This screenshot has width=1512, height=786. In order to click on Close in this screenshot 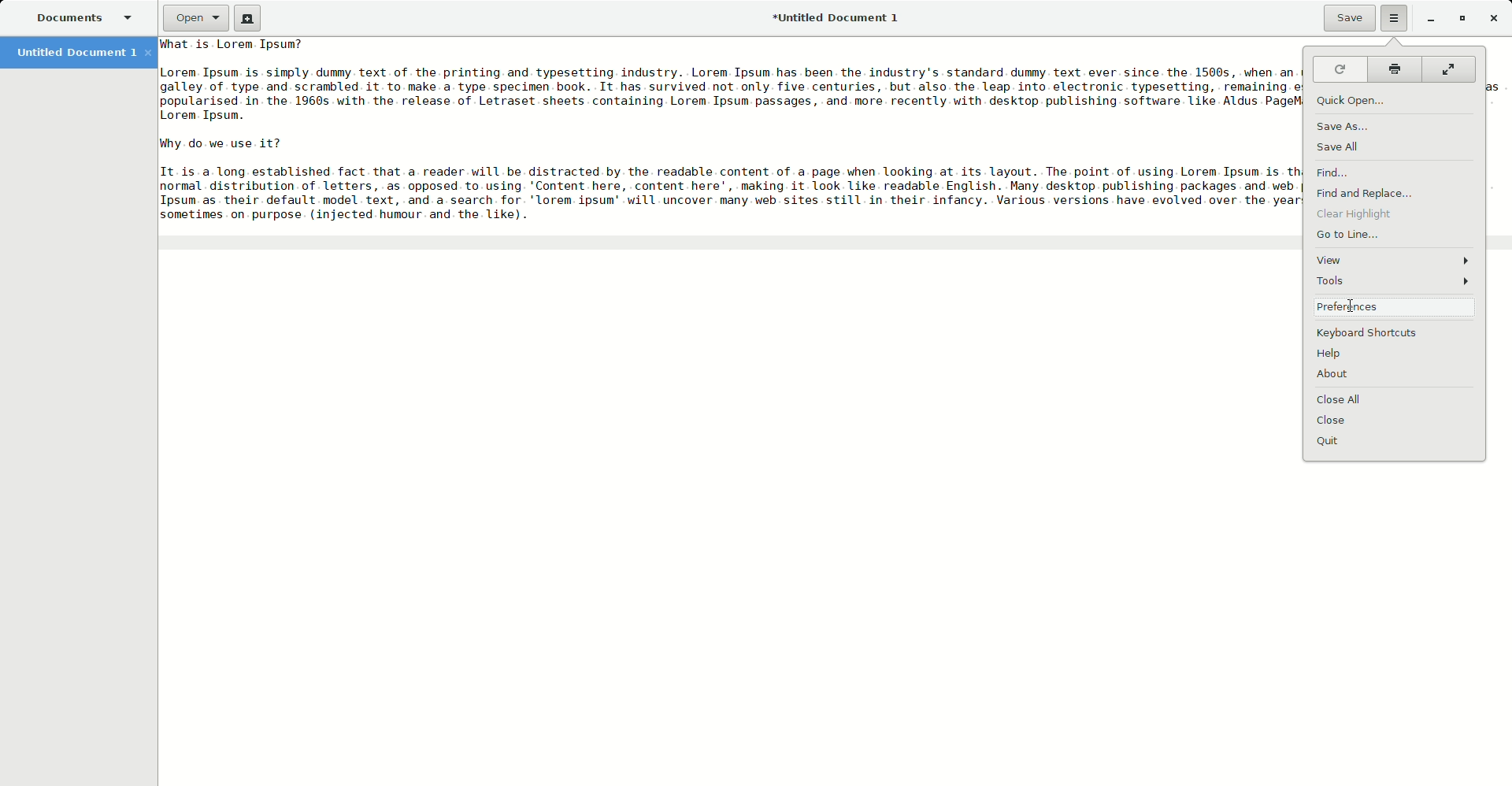, I will do `click(1493, 17)`.